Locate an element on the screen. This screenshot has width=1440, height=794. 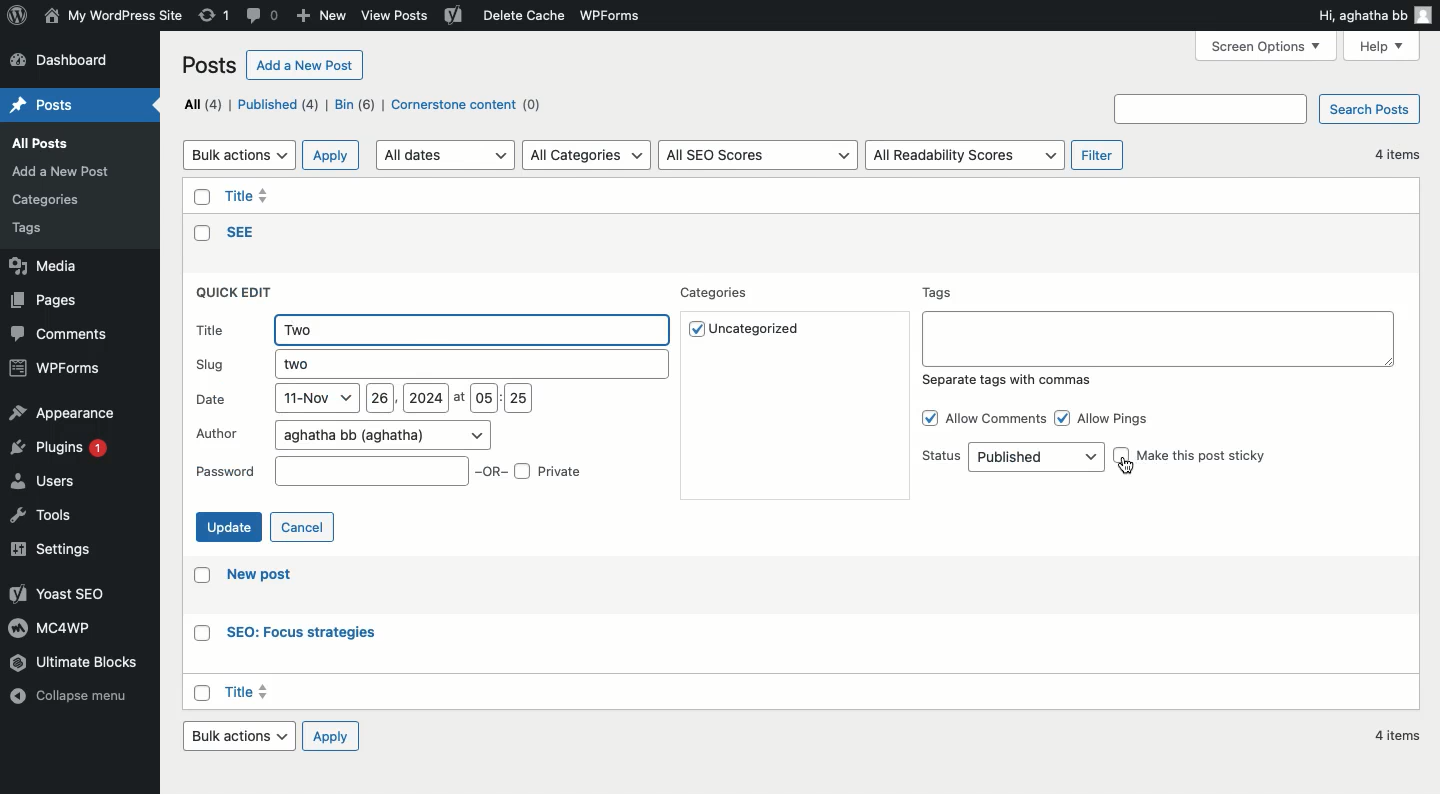
Help is located at coordinates (1384, 45).